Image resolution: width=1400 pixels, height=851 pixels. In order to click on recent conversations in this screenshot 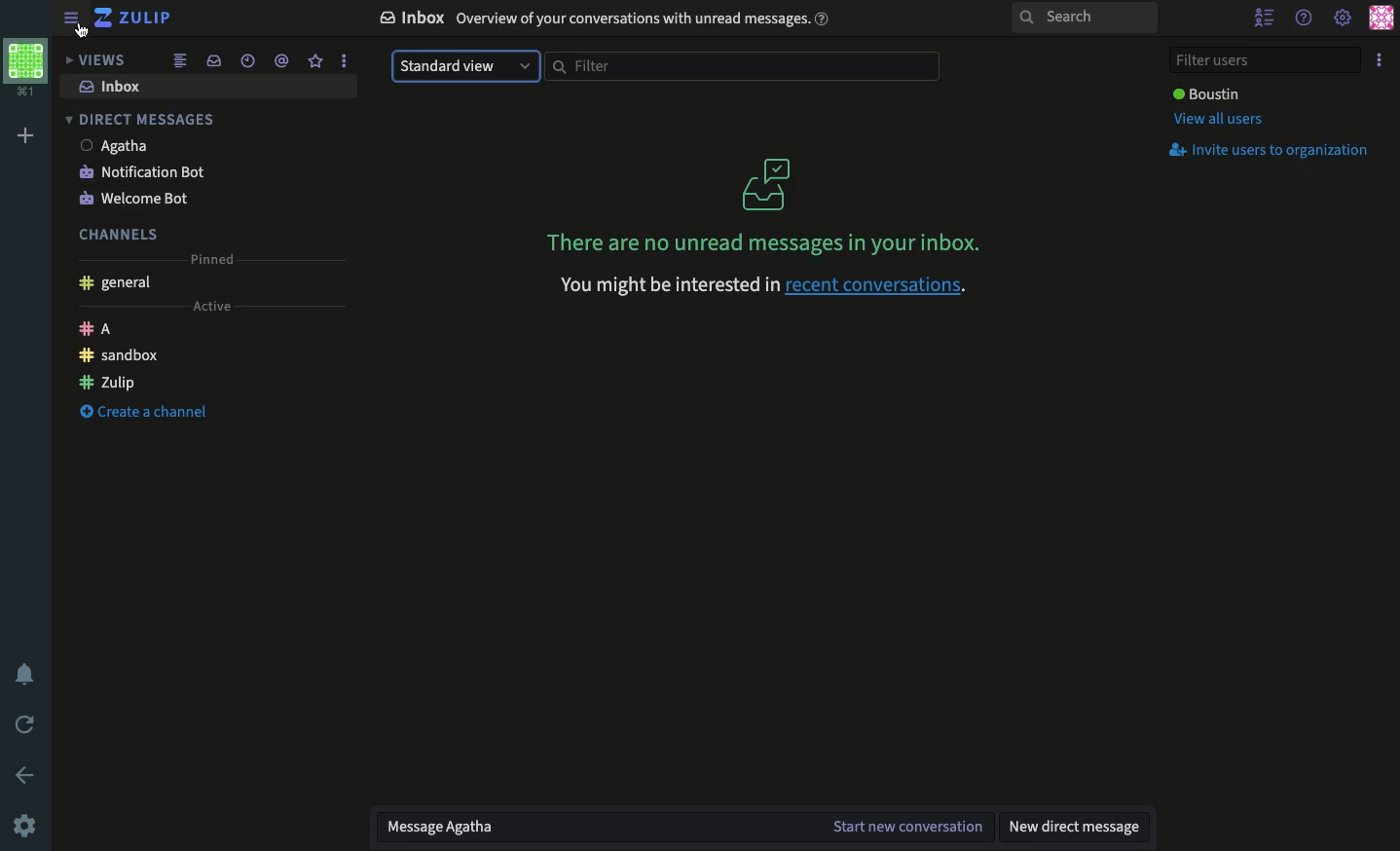, I will do `click(762, 284)`.